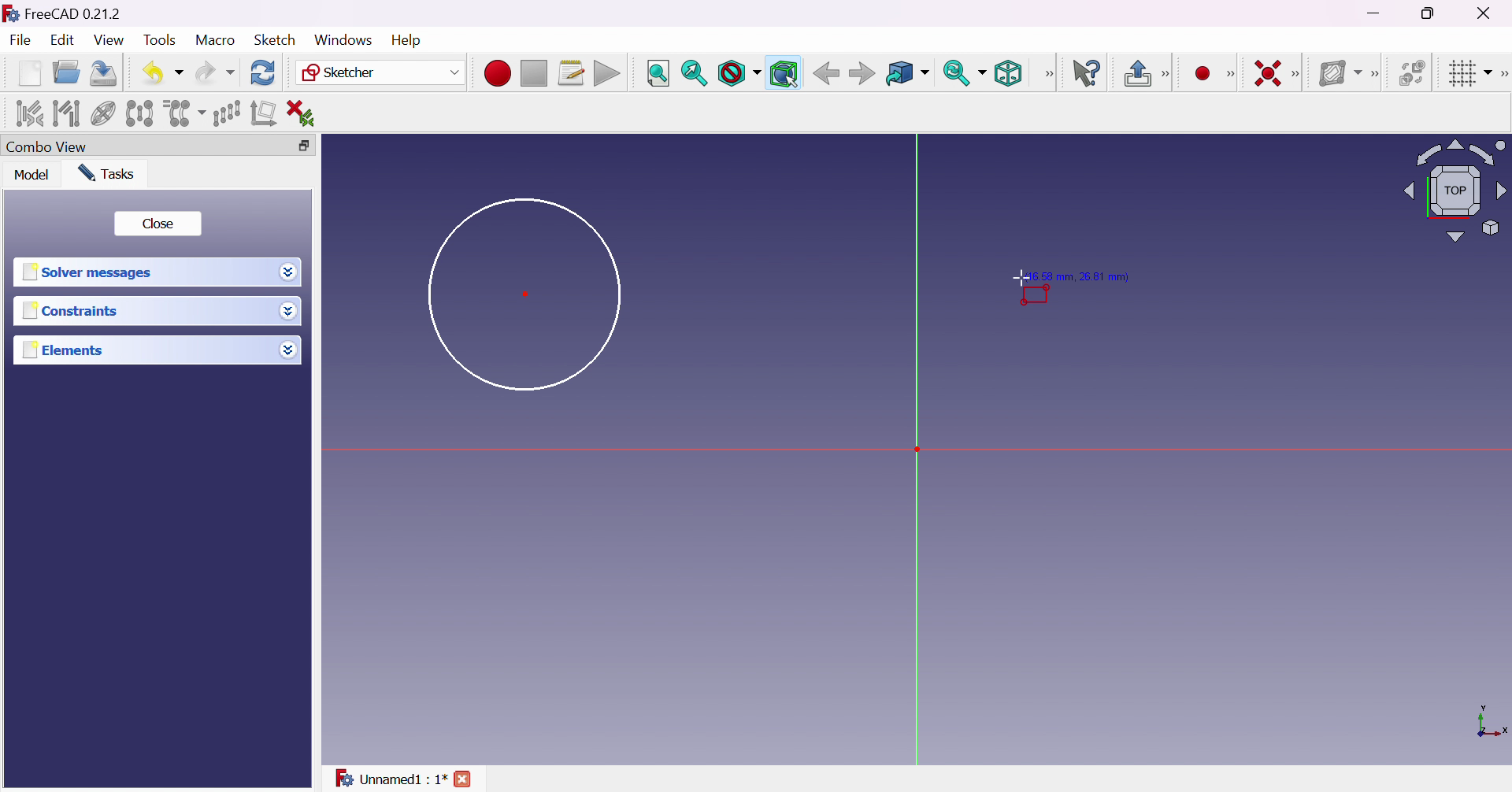 Image resolution: width=1512 pixels, height=792 pixels. Describe the element at coordinates (1379, 74) in the screenshot. I see `[Sketcher B-spline tools]]` at that location.